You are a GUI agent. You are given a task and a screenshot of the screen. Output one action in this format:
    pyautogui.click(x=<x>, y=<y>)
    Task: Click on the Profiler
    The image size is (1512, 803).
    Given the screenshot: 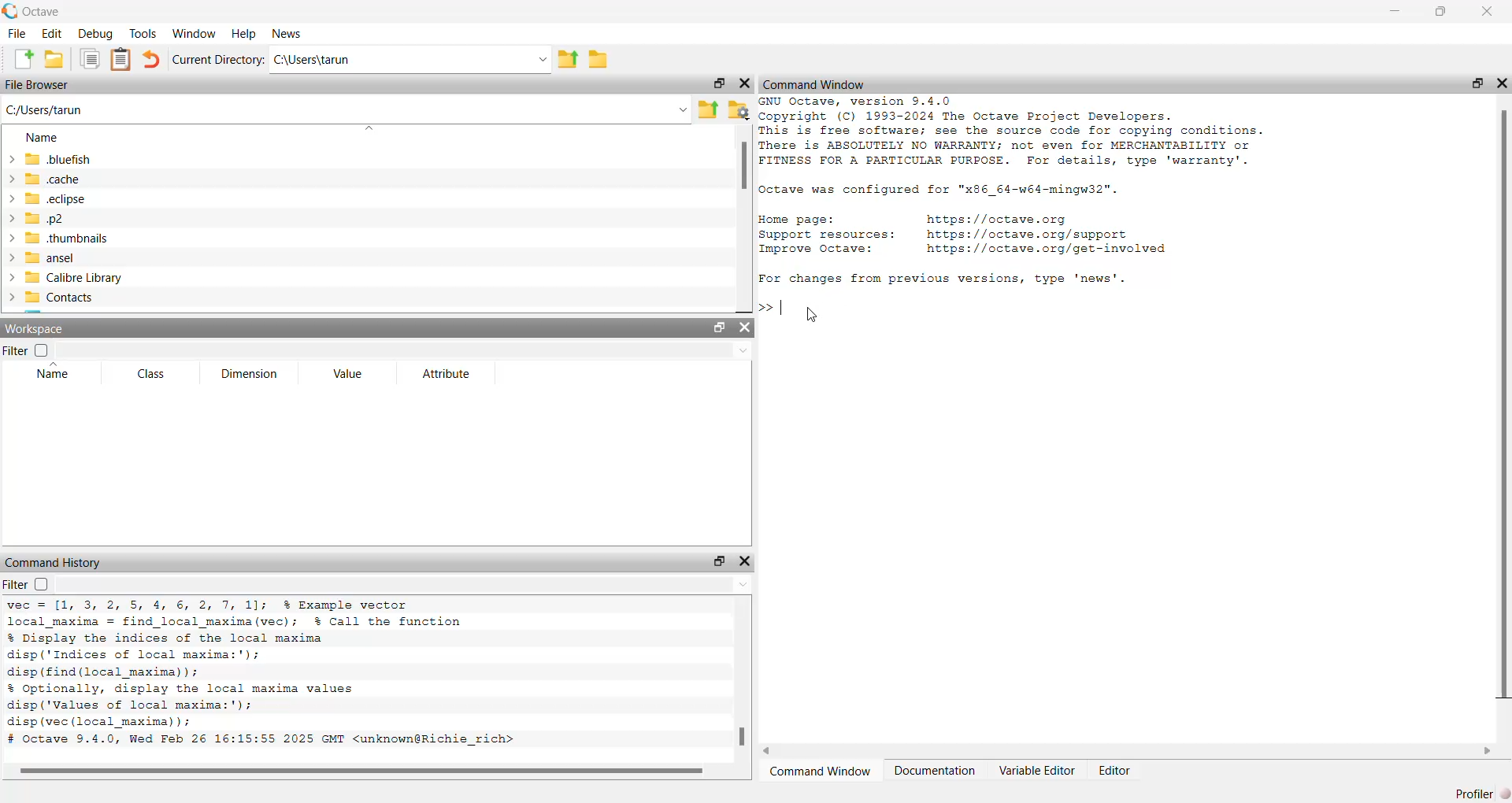 What is the action you would take?
    pyautogui.click(x=1475, y=793)
    